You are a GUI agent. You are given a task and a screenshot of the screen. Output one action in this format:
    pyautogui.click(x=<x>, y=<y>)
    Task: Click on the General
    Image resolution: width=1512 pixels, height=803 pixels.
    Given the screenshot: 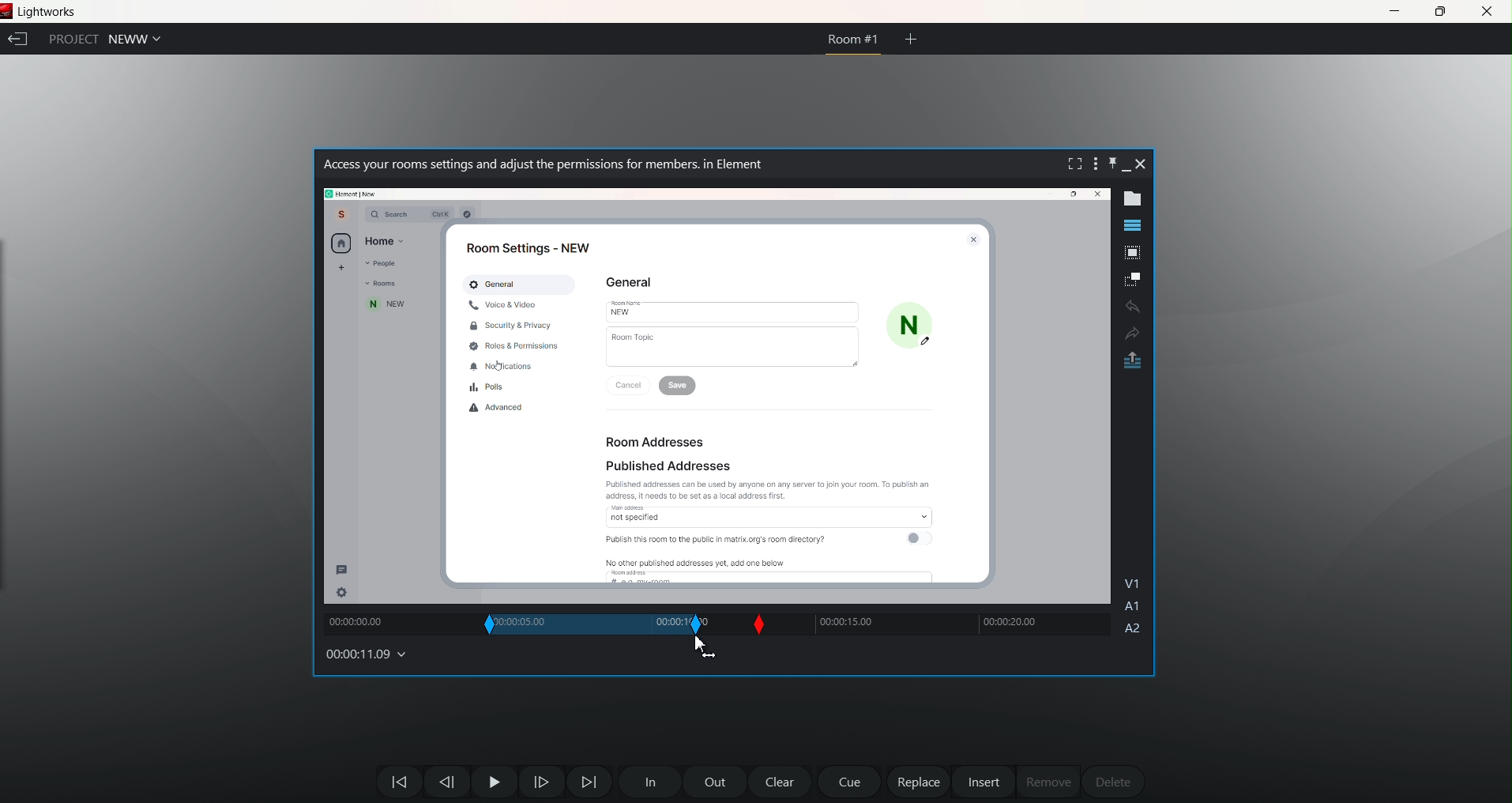 What is the action you would take?
    pyautogui.click(x=631, y=282)
    